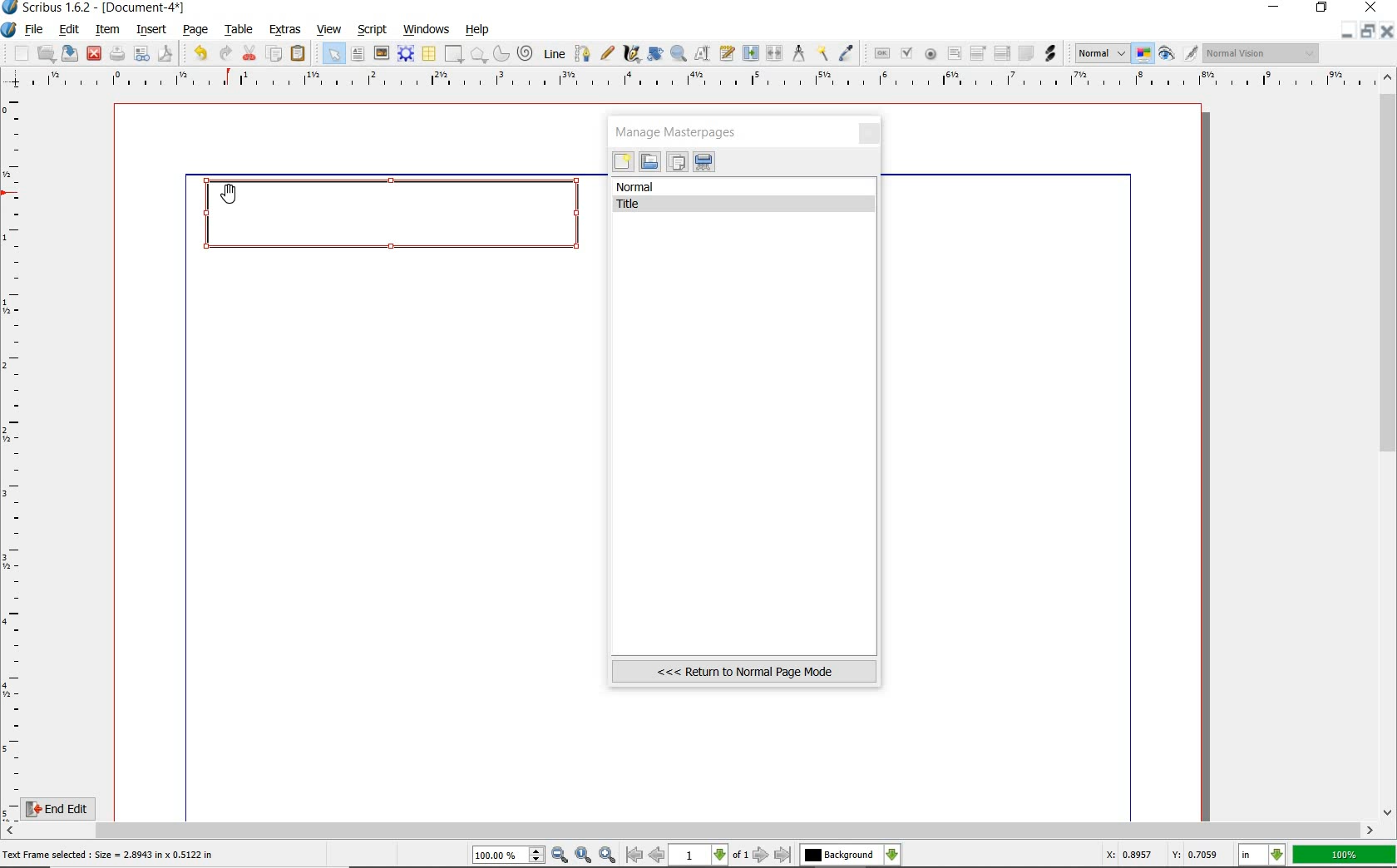  What do you see at coordinates (1144, 55) in the screenshot?
I see `toggle color management` at bounding box center [1144, 55].